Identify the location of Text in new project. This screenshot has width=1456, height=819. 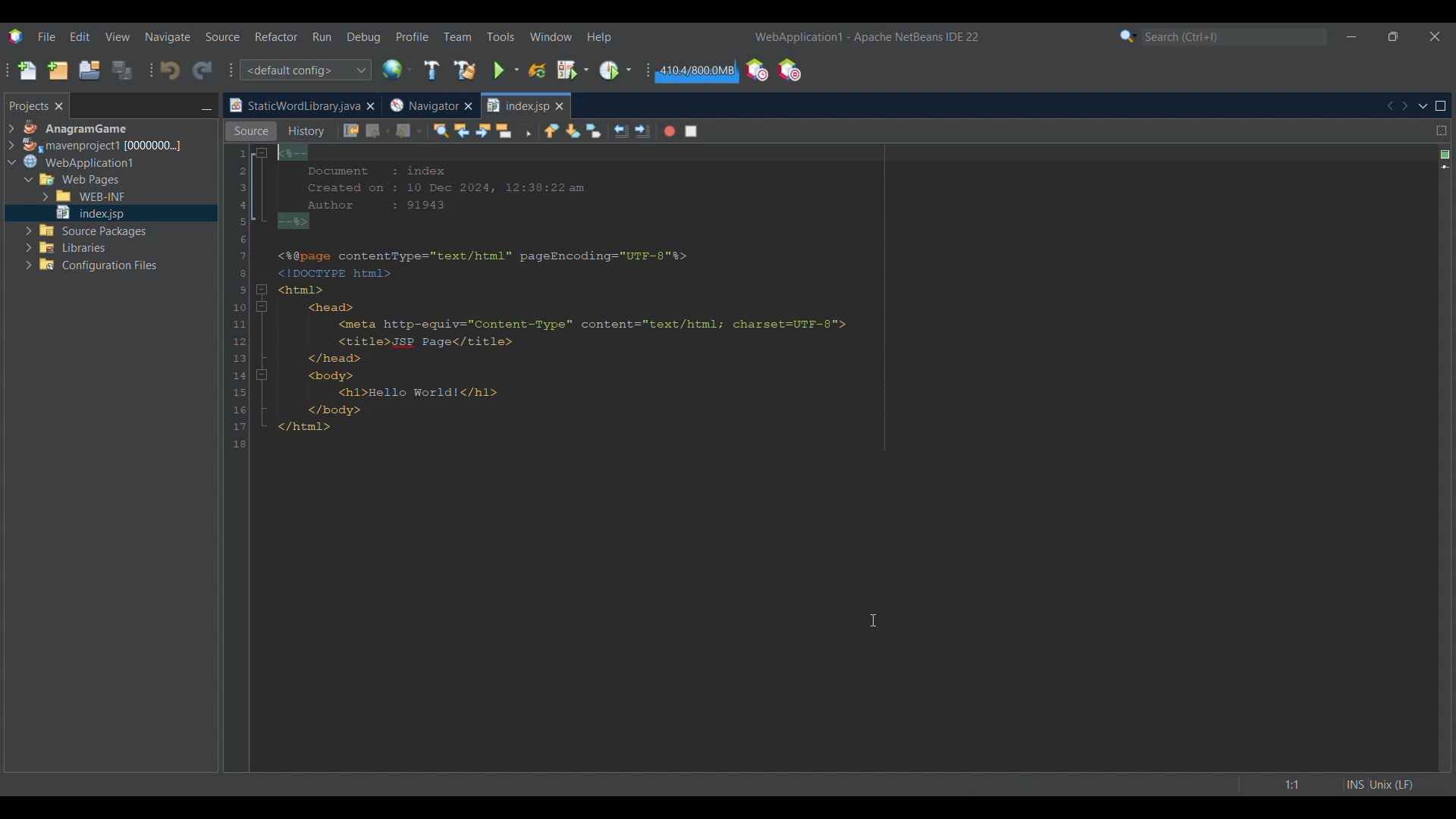
(634, 303).